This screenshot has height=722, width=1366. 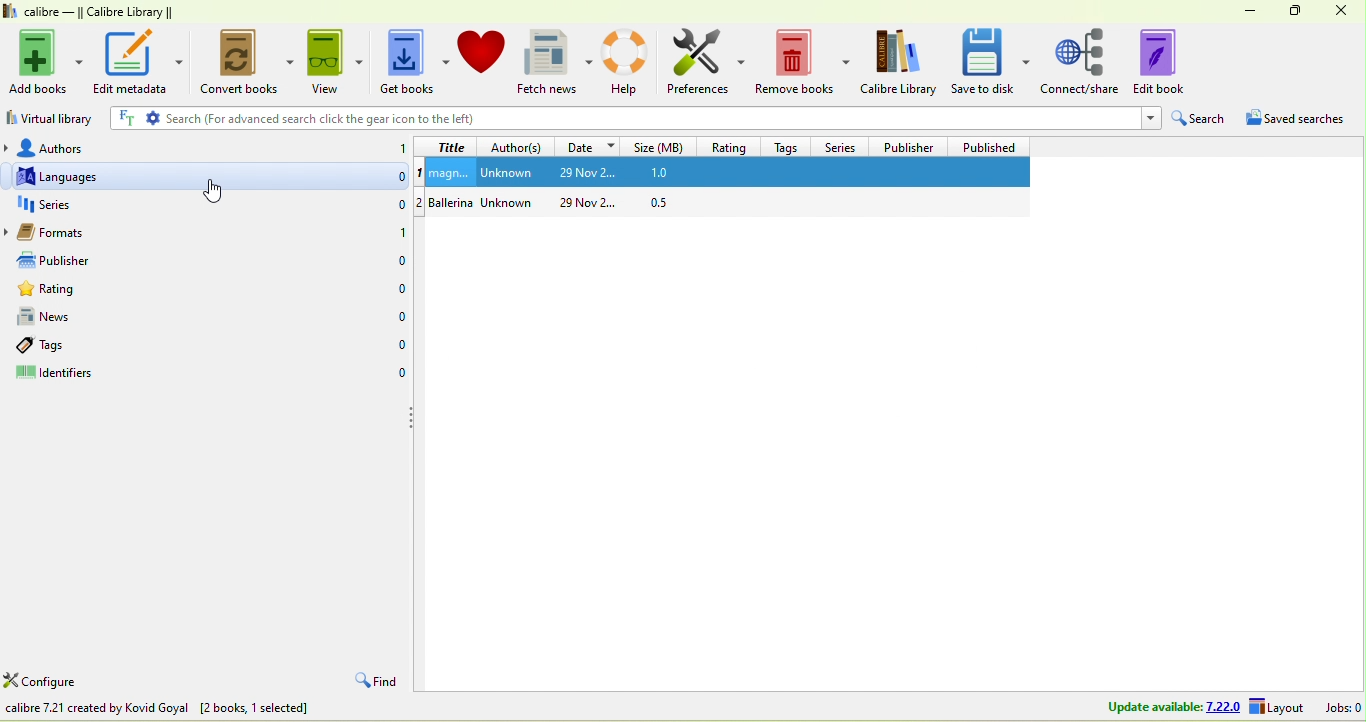 What do you see at coordinates (742, 203) in the screenshot?
I see `ballerina unknown  29 nov  0.5` at bounding box center [742, 203].